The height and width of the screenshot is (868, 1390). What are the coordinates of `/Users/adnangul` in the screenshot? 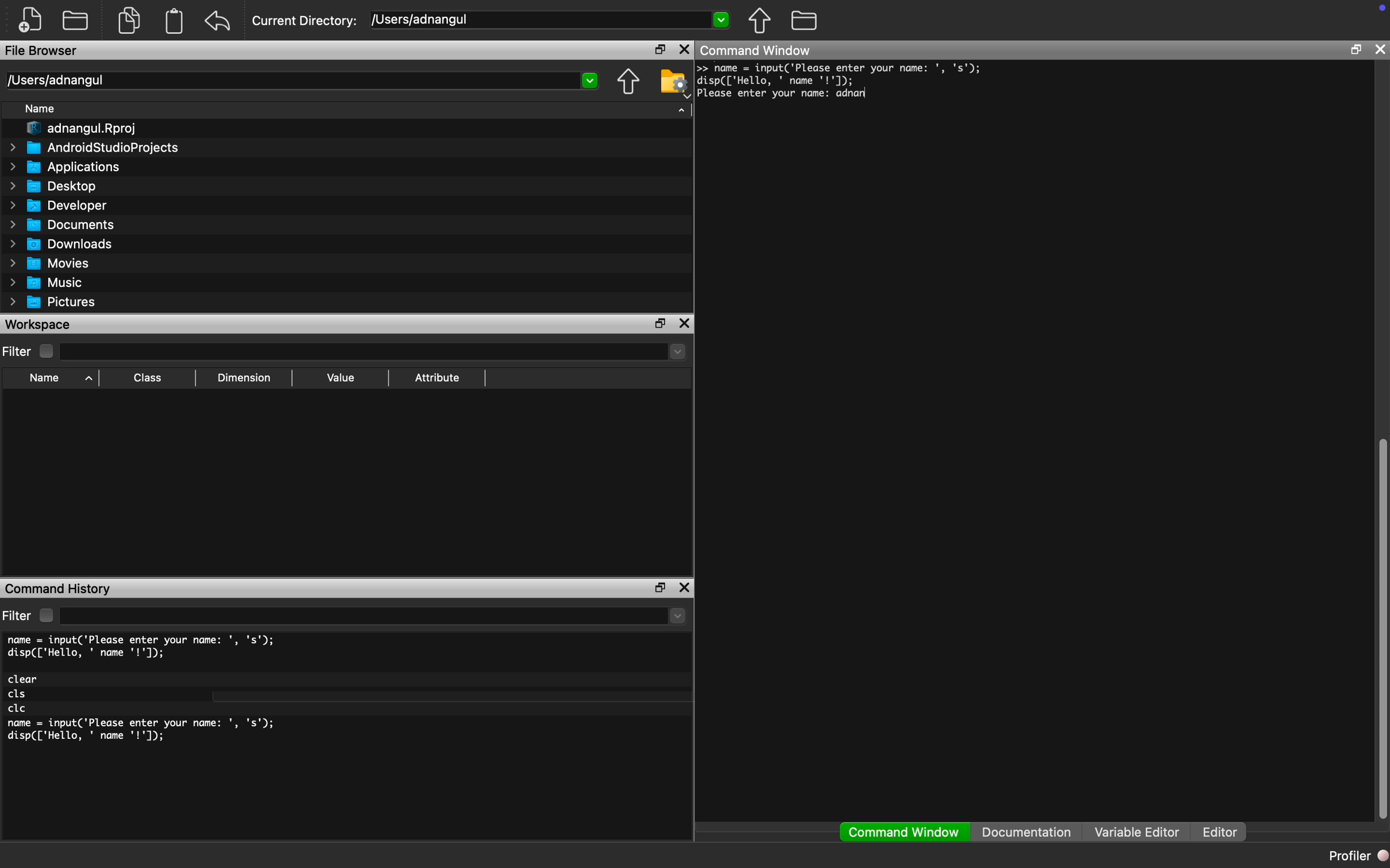 It's located at (422, 19).